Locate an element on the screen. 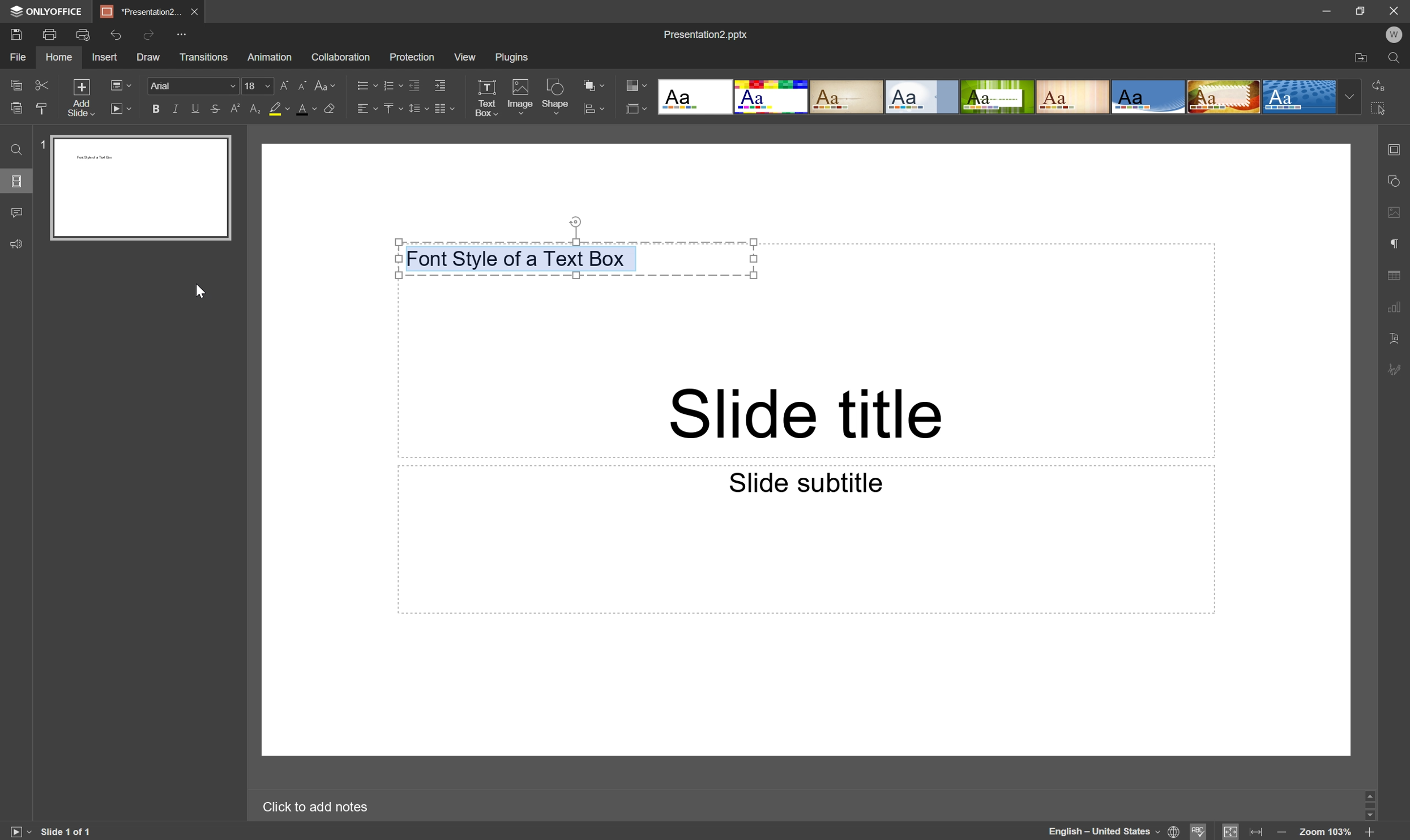  Insert columns is located at coordinates (446, 108).